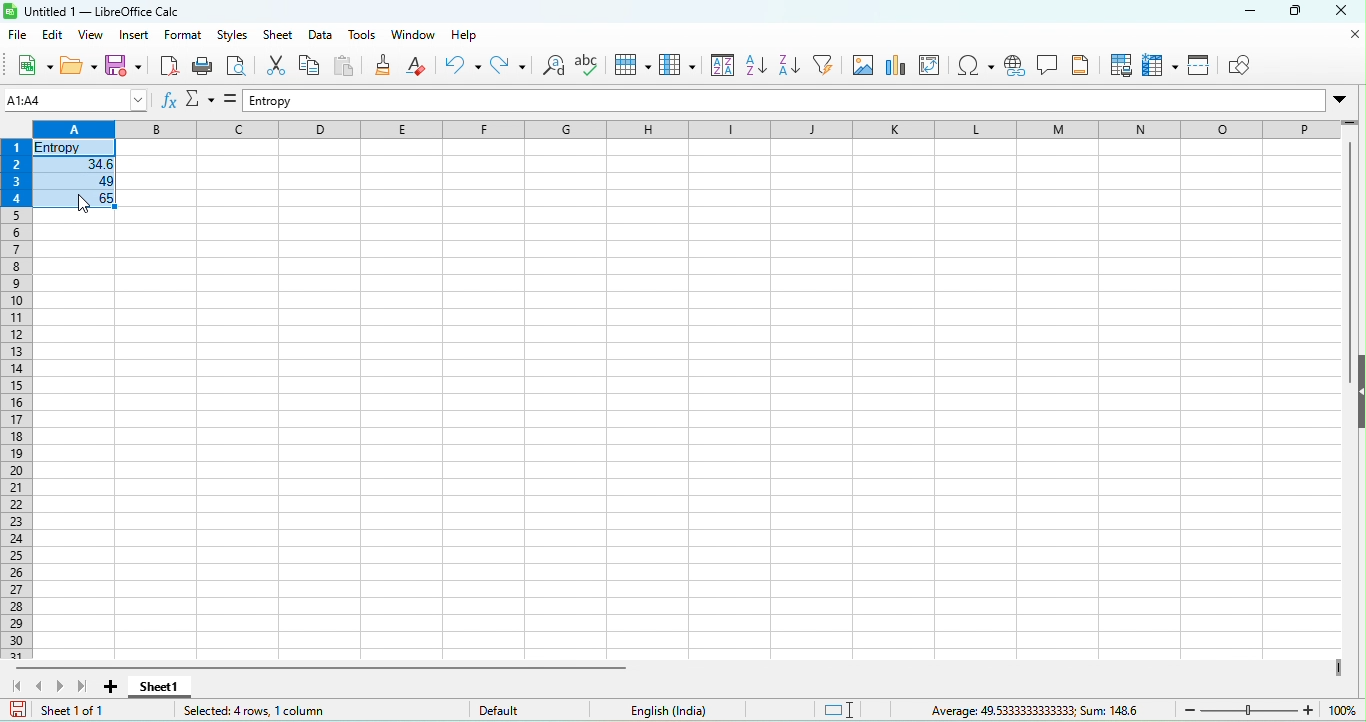  What do you see at coordinates (1202, 67) in the screenshot?
I see `split window` at bounding box center [1202, 67].